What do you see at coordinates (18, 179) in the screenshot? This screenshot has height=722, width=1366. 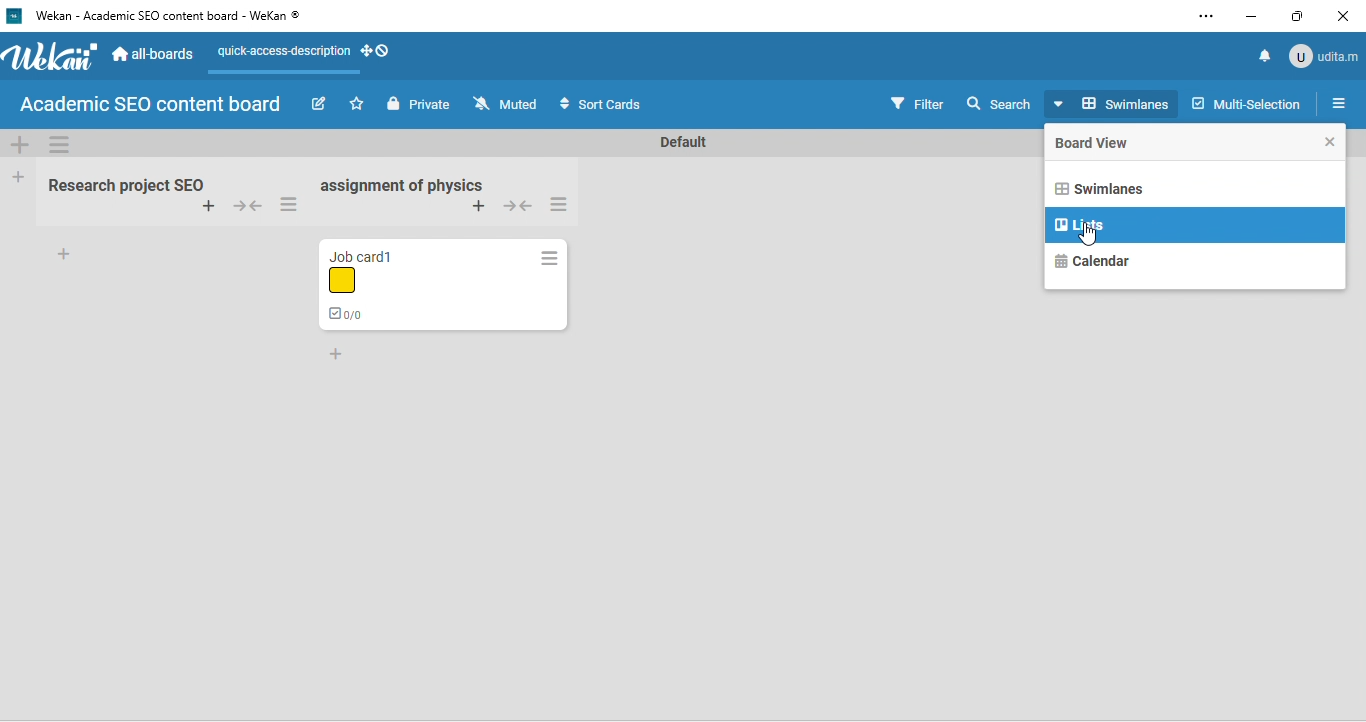 I see `Add` at bounding box center [18, 179].